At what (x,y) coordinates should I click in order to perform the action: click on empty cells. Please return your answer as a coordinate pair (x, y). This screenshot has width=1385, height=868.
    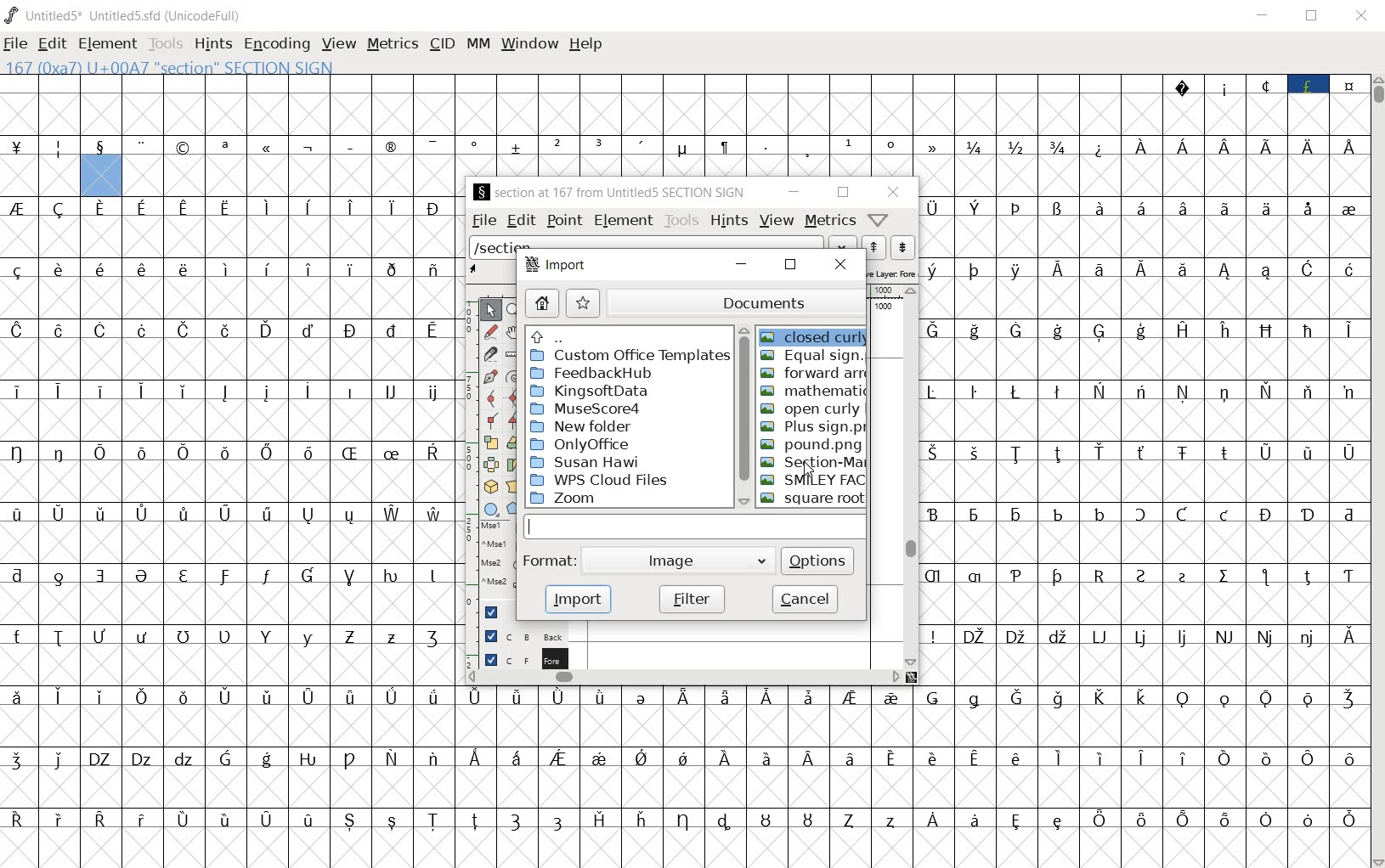
    Looking at the image, I should click on (1145, 177).